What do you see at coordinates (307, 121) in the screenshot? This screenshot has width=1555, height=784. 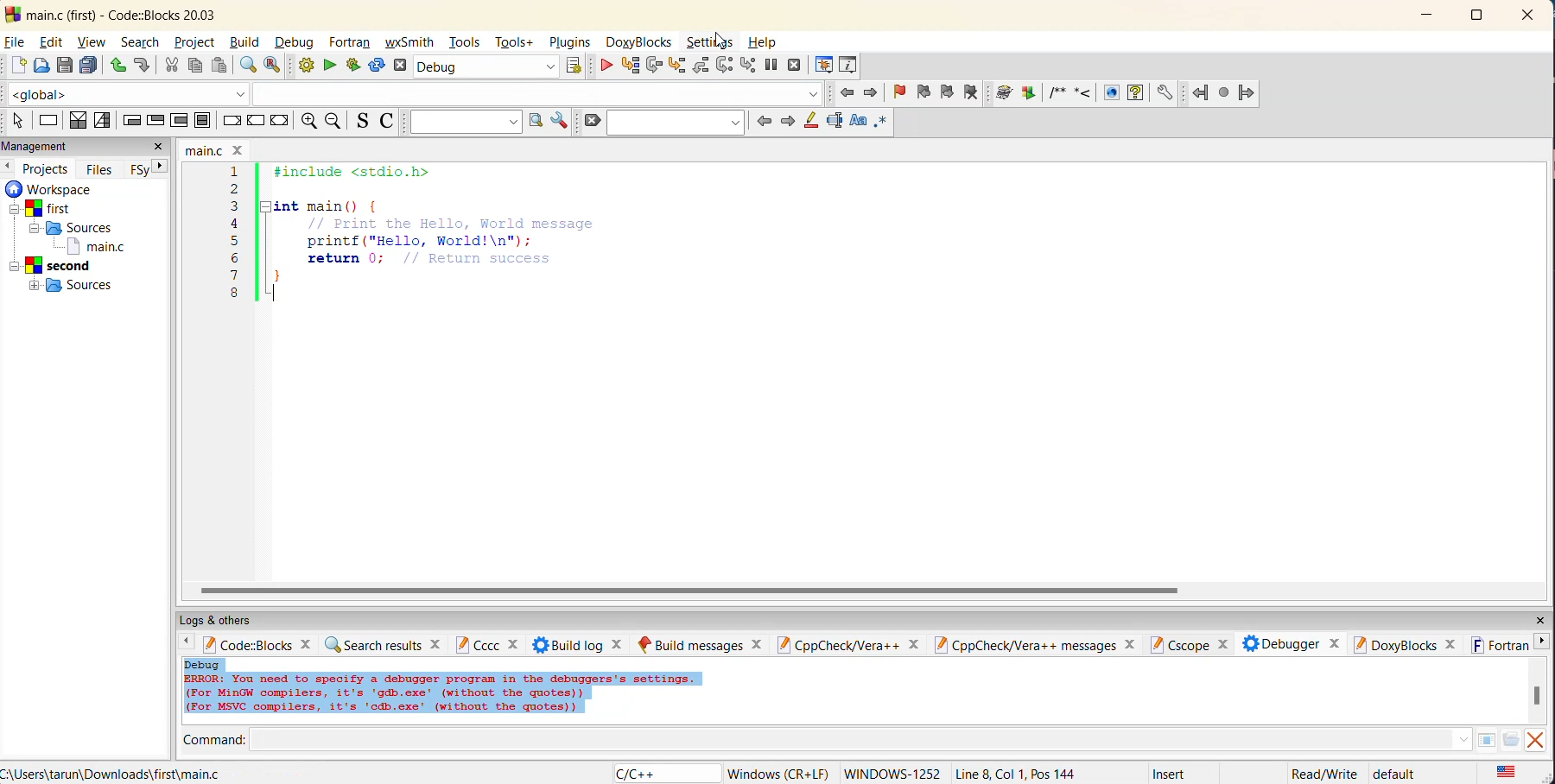 I see `zoom in` at bounding box center [307, 121].